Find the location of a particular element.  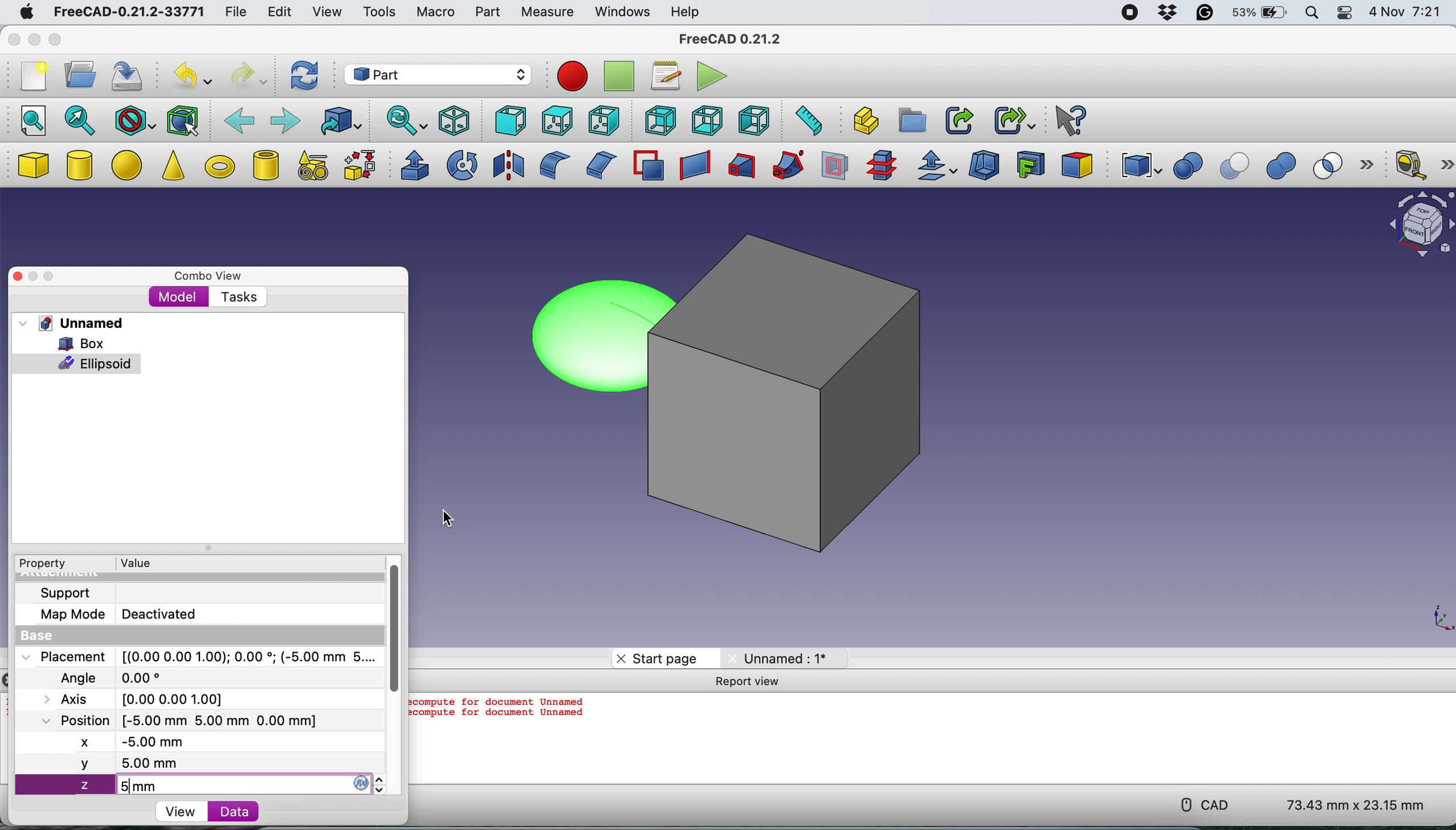

maximise is located at coordinates (60, 274).